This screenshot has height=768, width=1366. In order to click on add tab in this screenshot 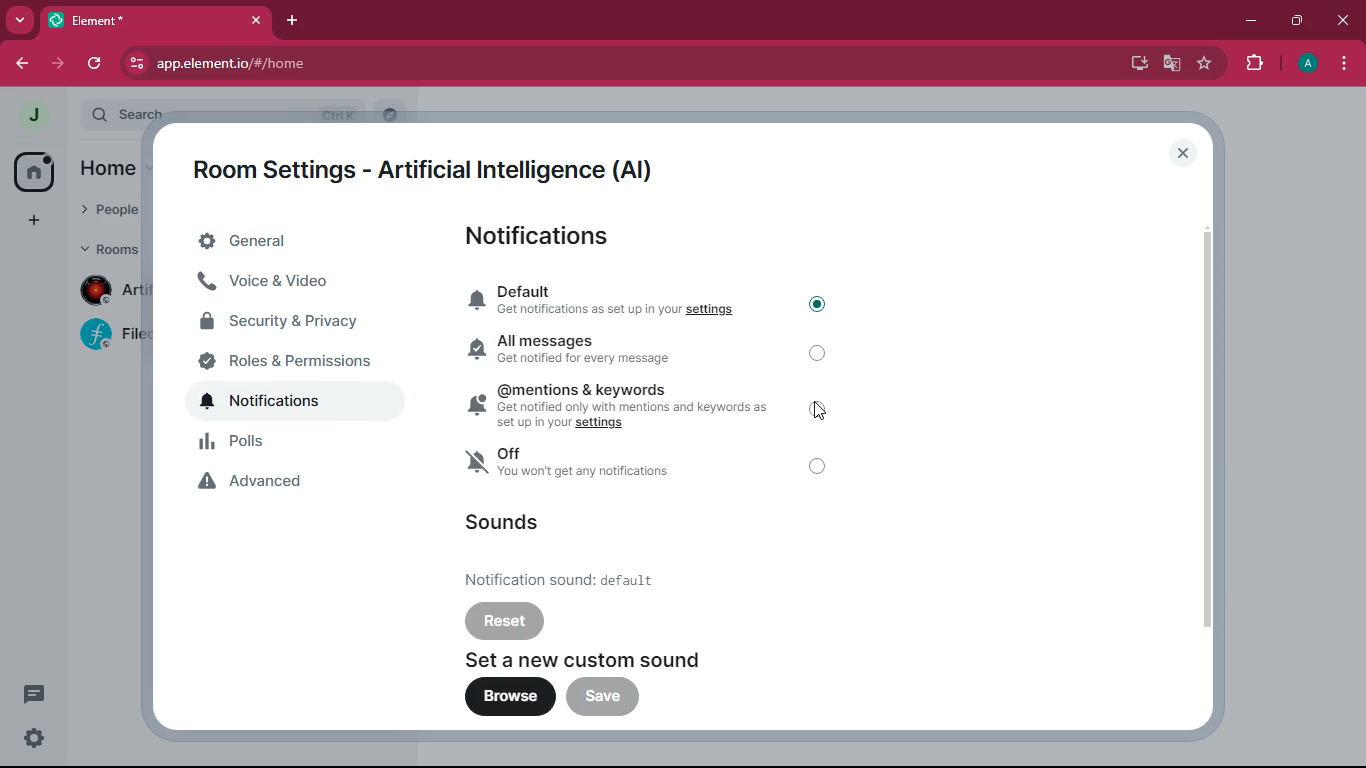, I will do `click(296, 22)`.